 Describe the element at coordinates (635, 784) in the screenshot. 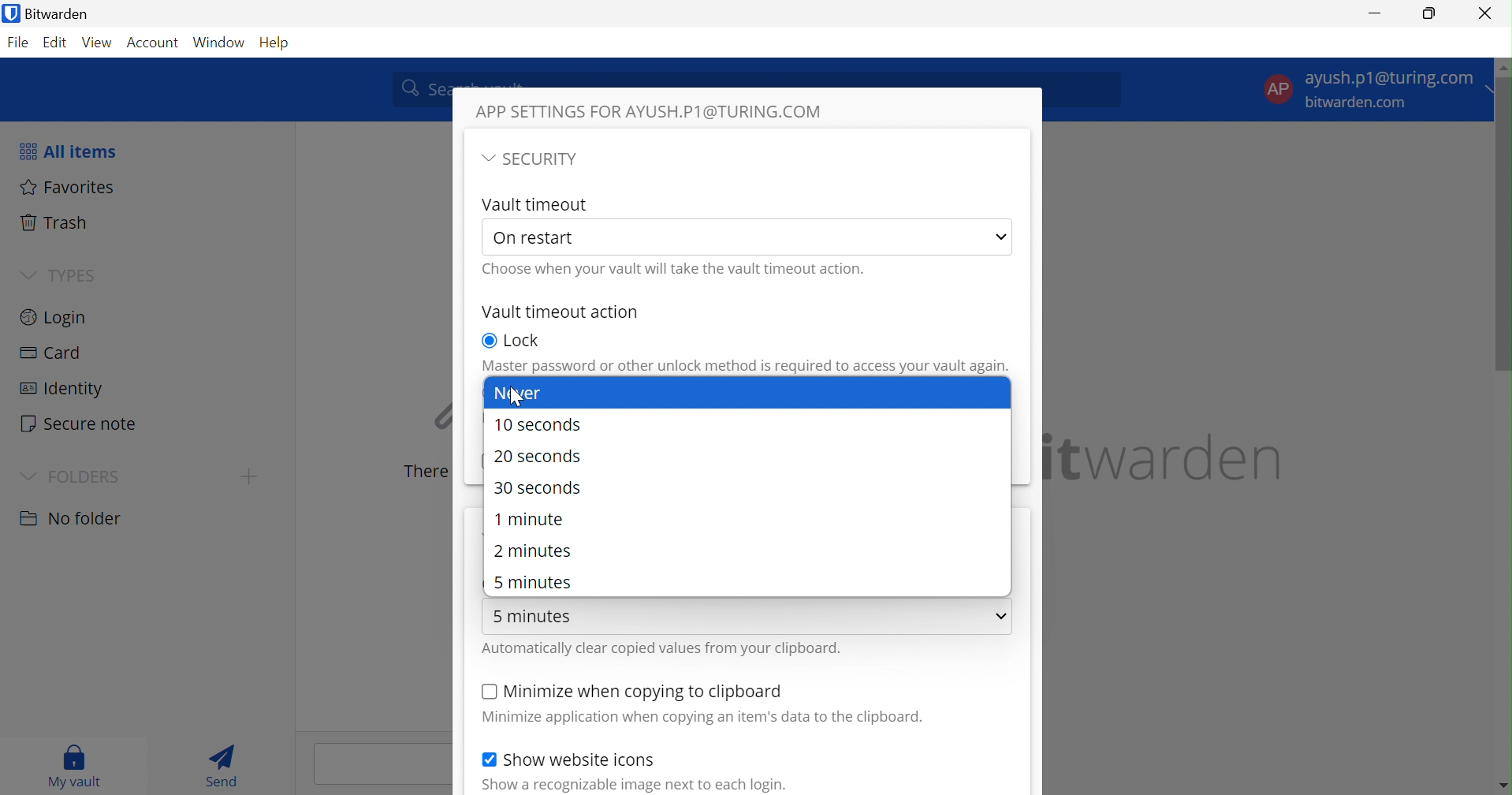

I see `Show a recognizable image next to each login.` at that location.